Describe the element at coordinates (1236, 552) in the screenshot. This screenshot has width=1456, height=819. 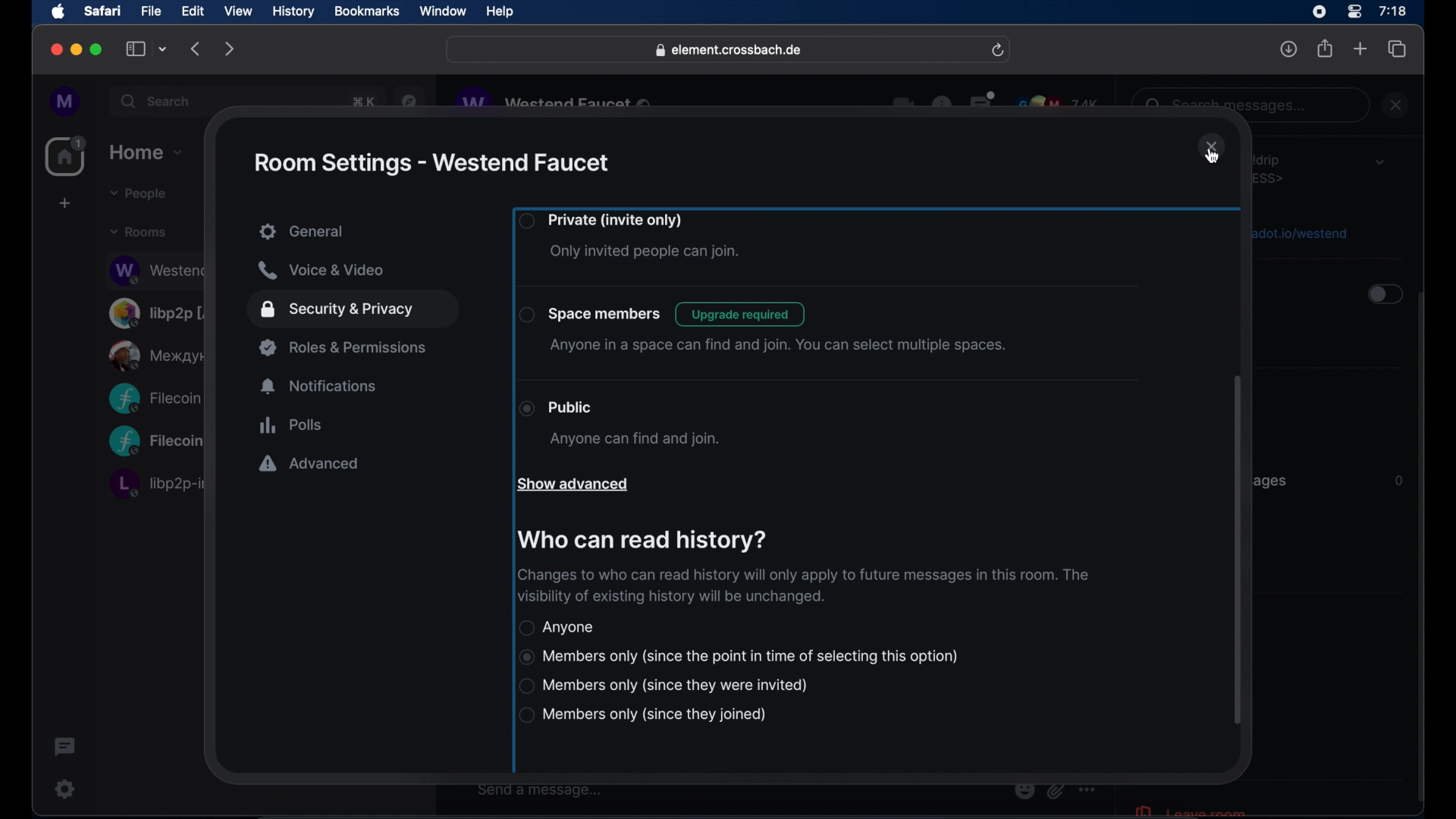
I see `scroll box` at that location.